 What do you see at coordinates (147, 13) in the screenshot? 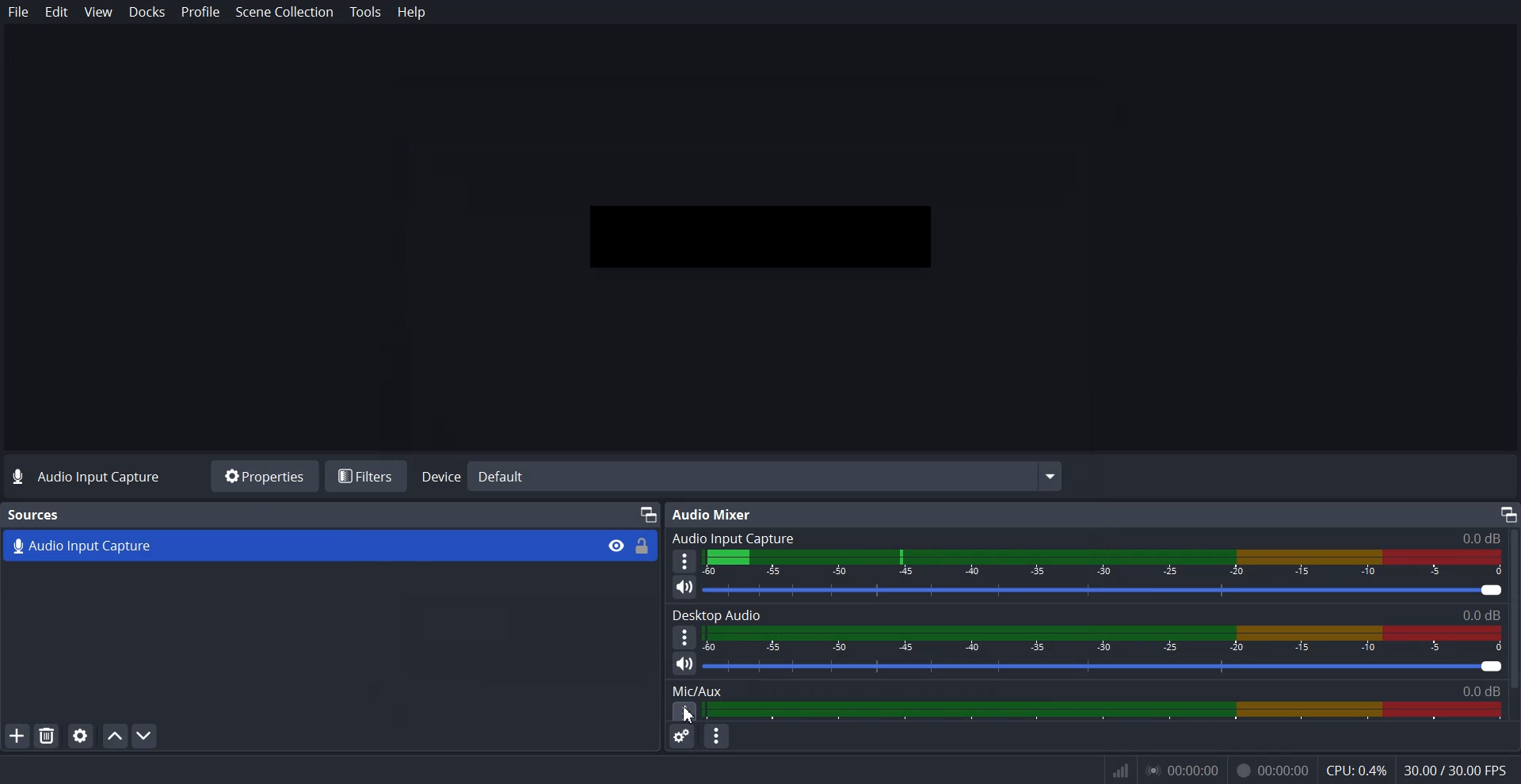
I see `Docks` at bounding box center [147, 13].